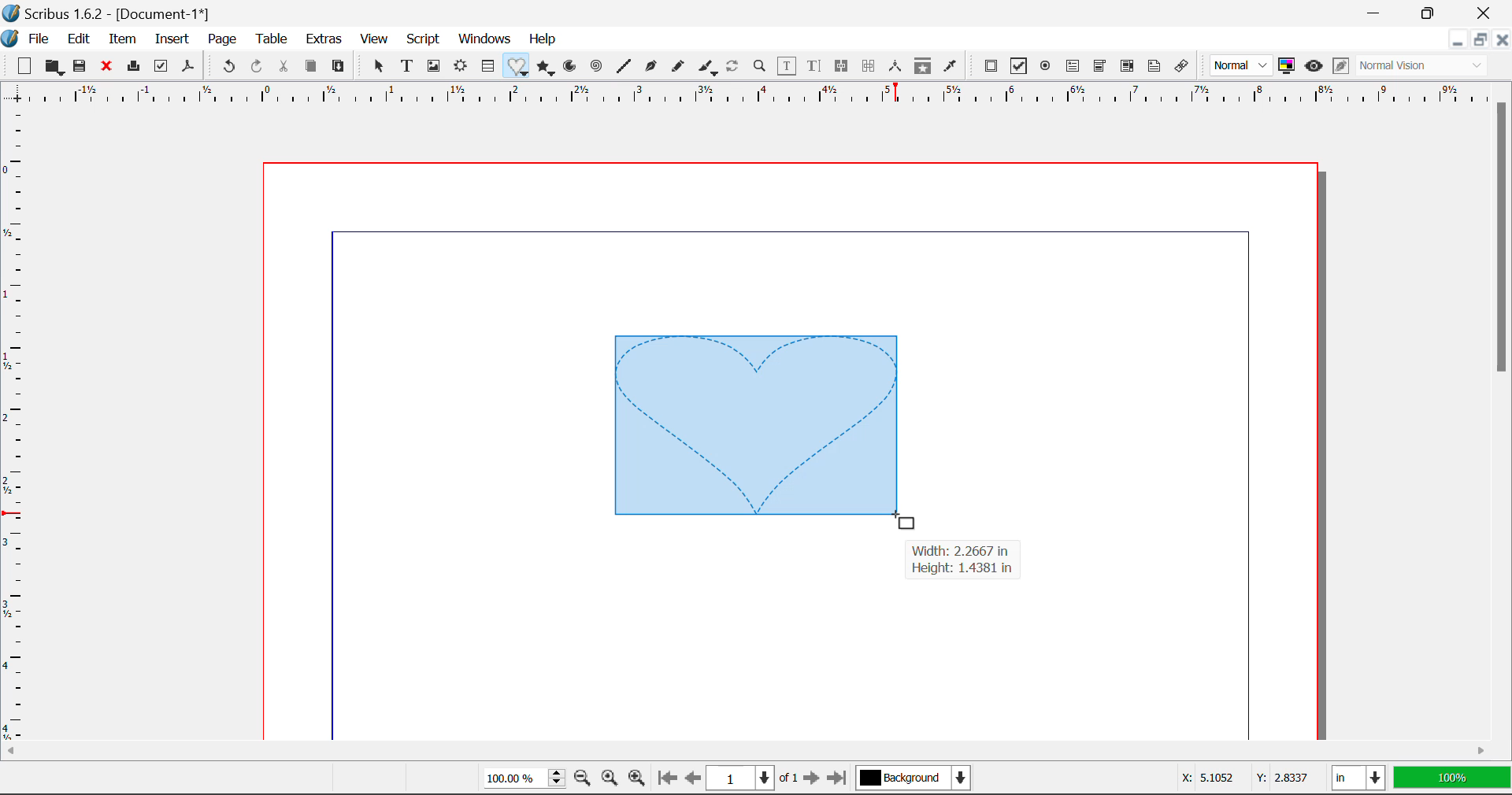 The image size is (1512, 795). Describe the element at coordinates (753, 424) in the screenshot. I see `Heart Shape` at that location.